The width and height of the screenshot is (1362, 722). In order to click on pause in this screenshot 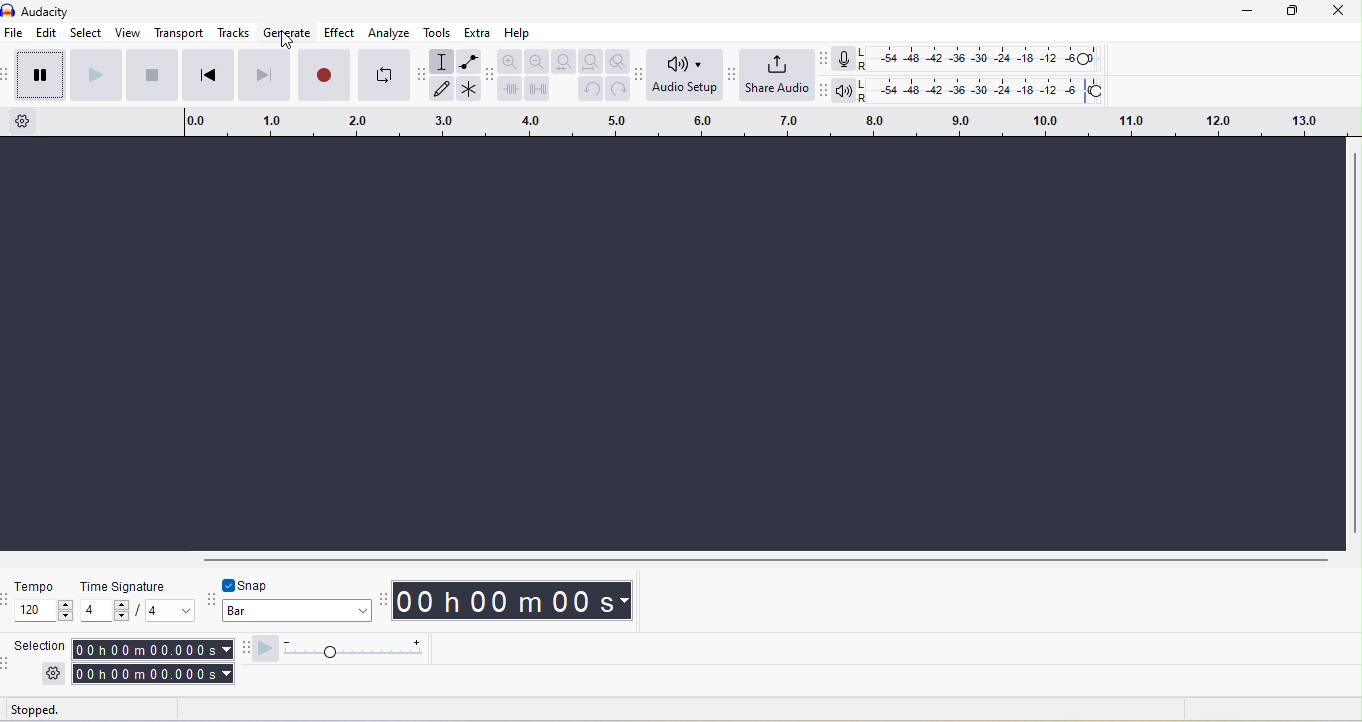, I will do `click(38, 75)`.